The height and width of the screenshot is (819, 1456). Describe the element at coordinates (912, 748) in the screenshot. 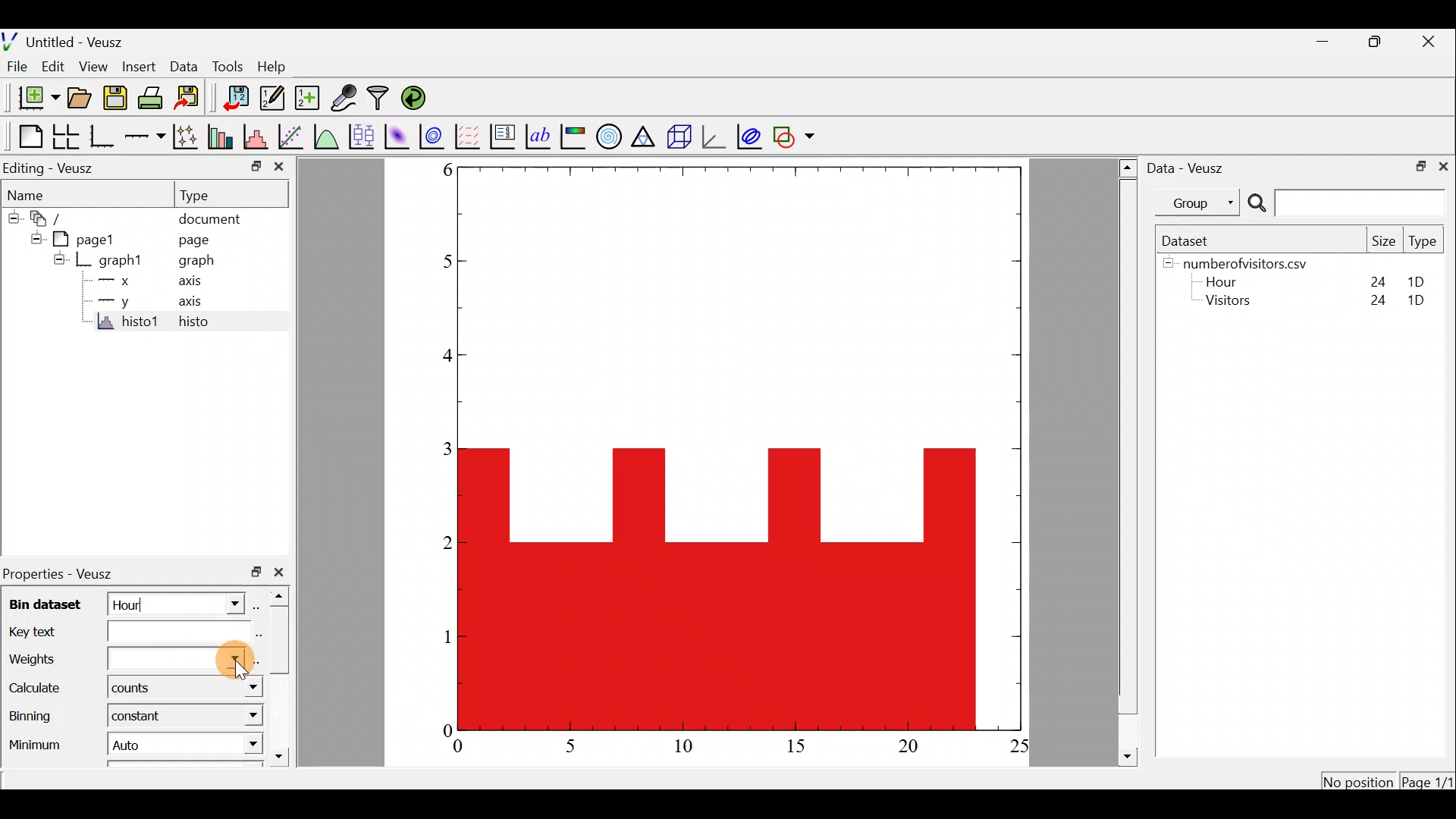

I see `20` at that location.